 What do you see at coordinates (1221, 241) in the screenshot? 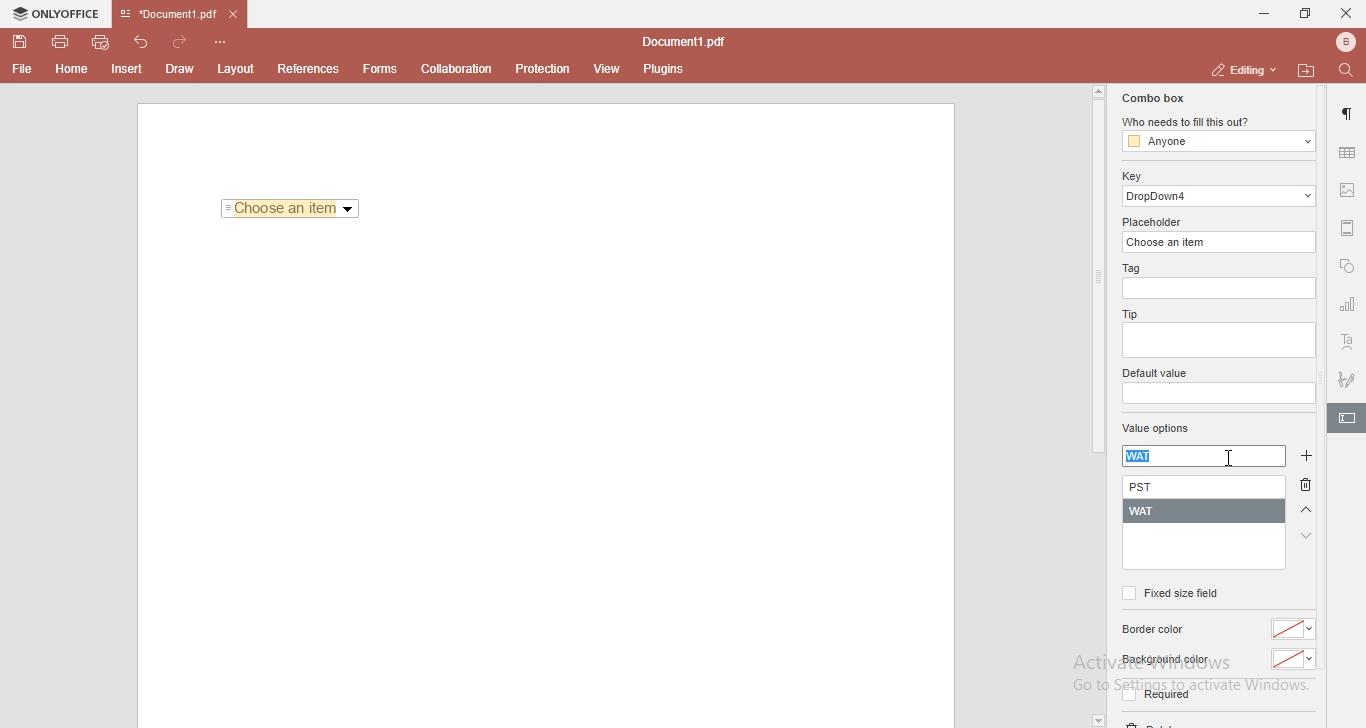
I see `choose an item` at bounding box center [1221, 241].